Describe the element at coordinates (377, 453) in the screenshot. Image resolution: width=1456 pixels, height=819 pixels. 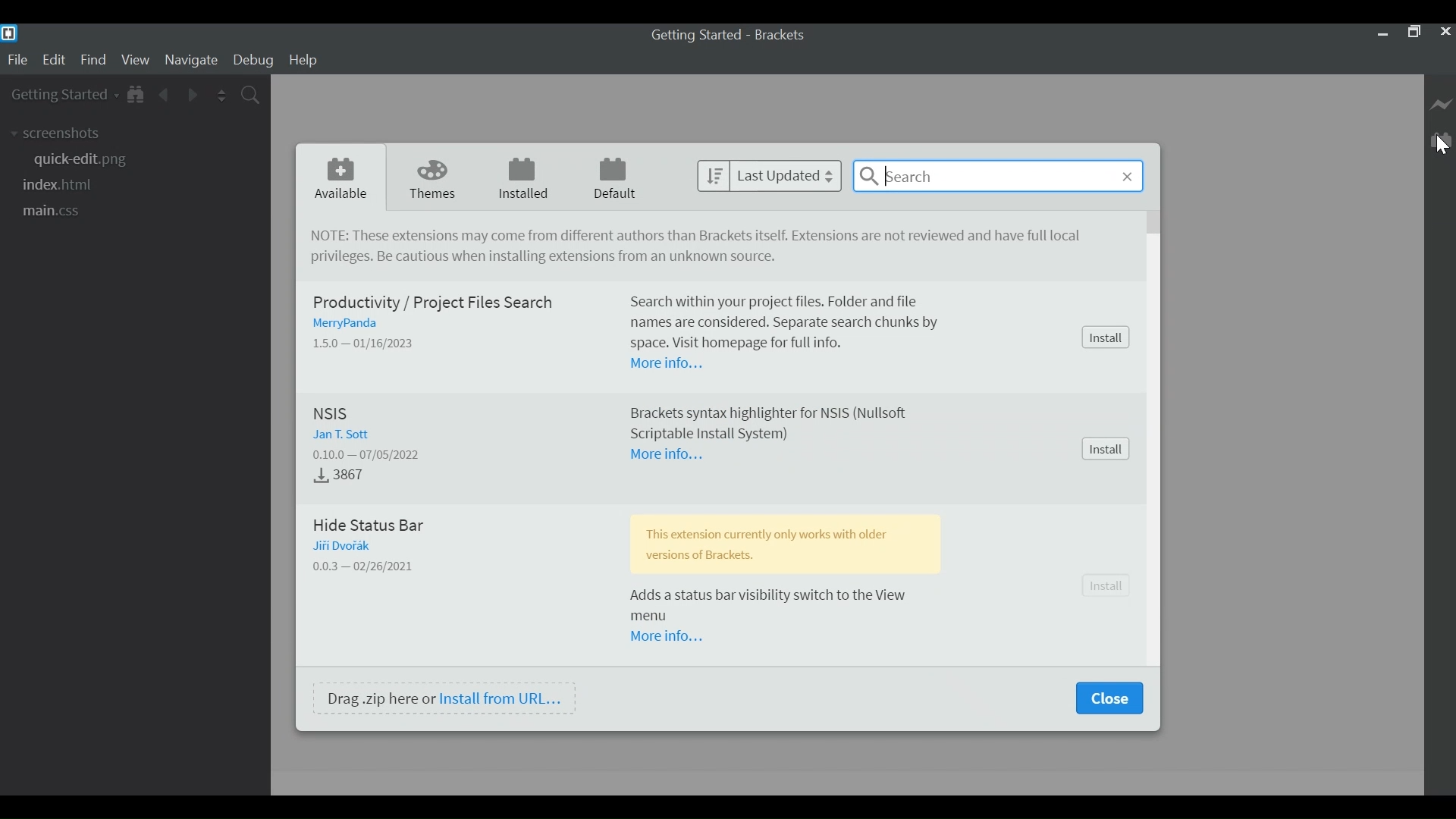
I see `Version - Released Date` at that location.